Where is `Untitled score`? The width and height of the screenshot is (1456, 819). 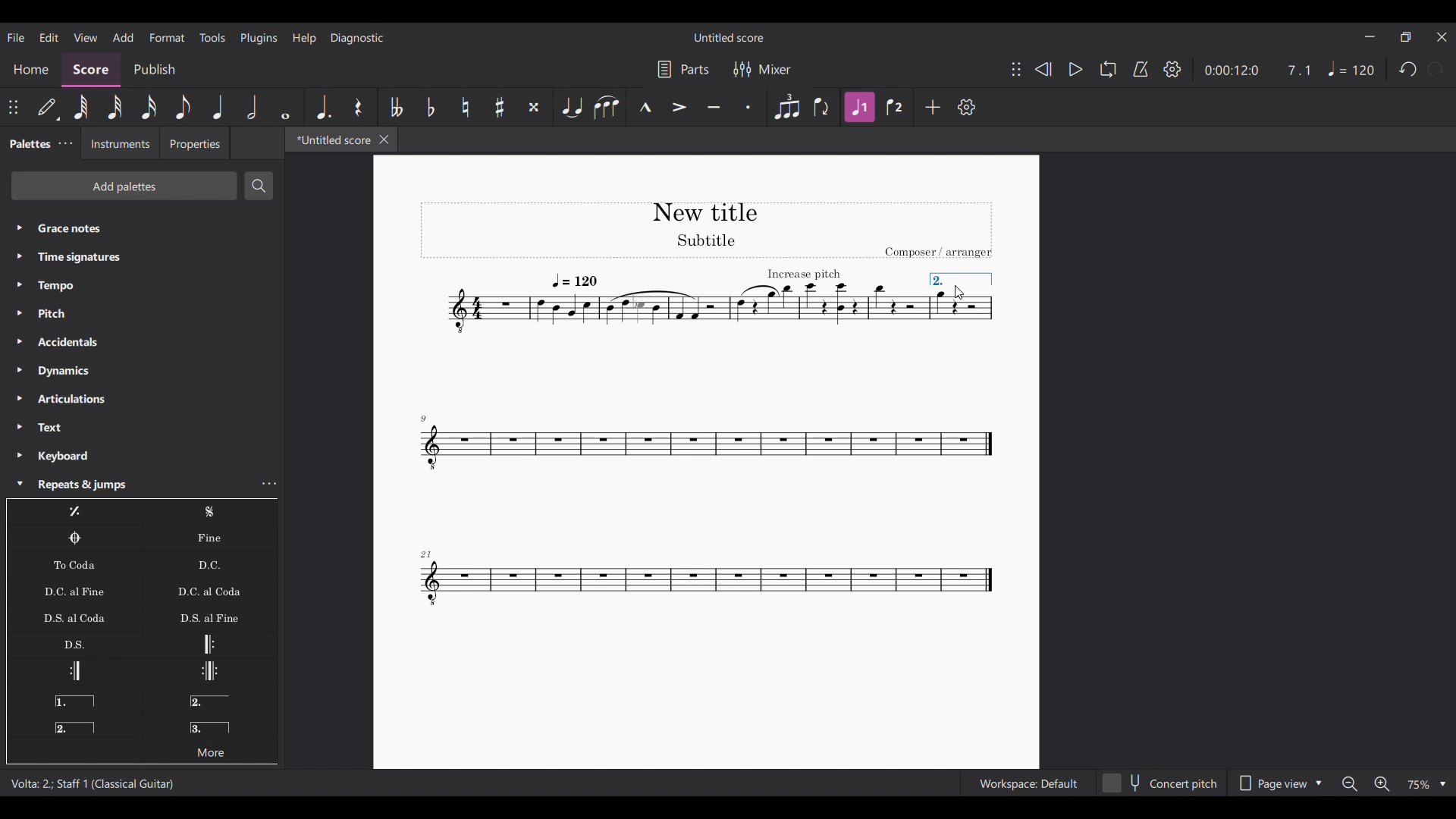 Untitled score is located at coordinates (729, 38).